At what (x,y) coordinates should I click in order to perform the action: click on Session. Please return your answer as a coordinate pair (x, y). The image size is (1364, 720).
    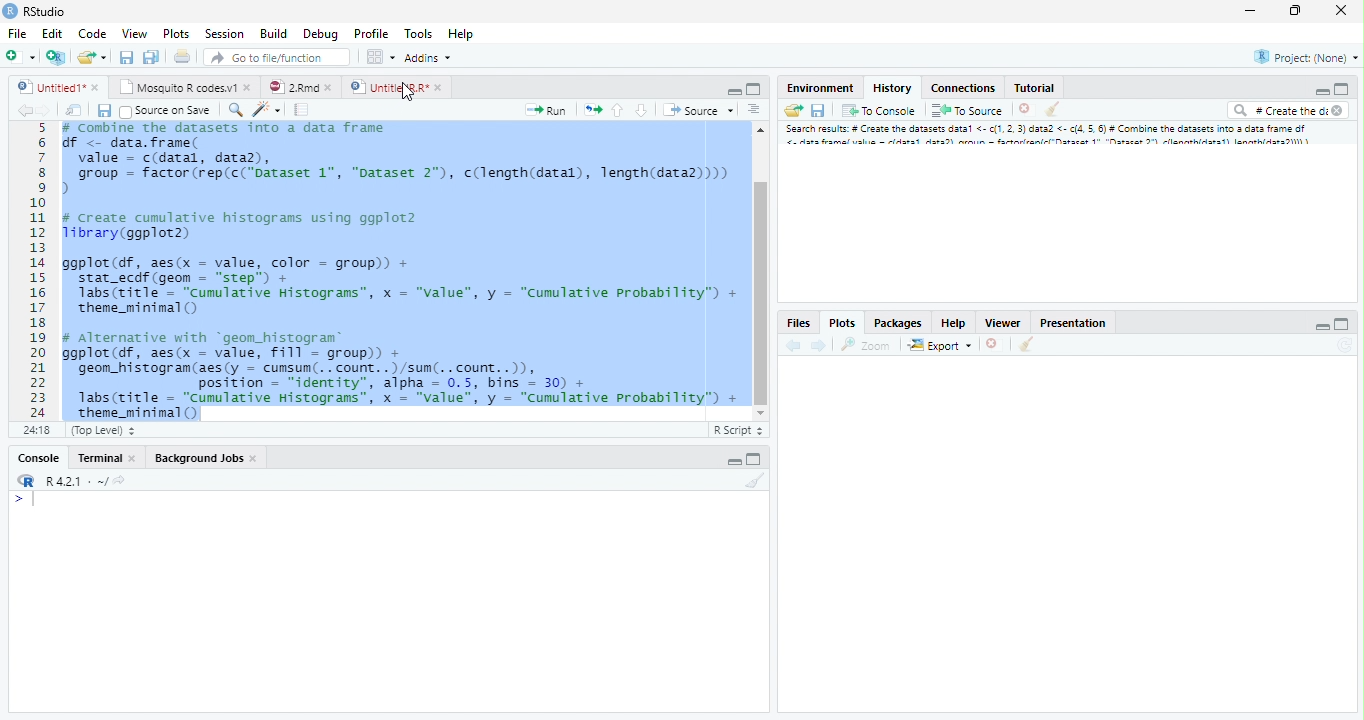
    Looking at the image, I should click on (227, 34).